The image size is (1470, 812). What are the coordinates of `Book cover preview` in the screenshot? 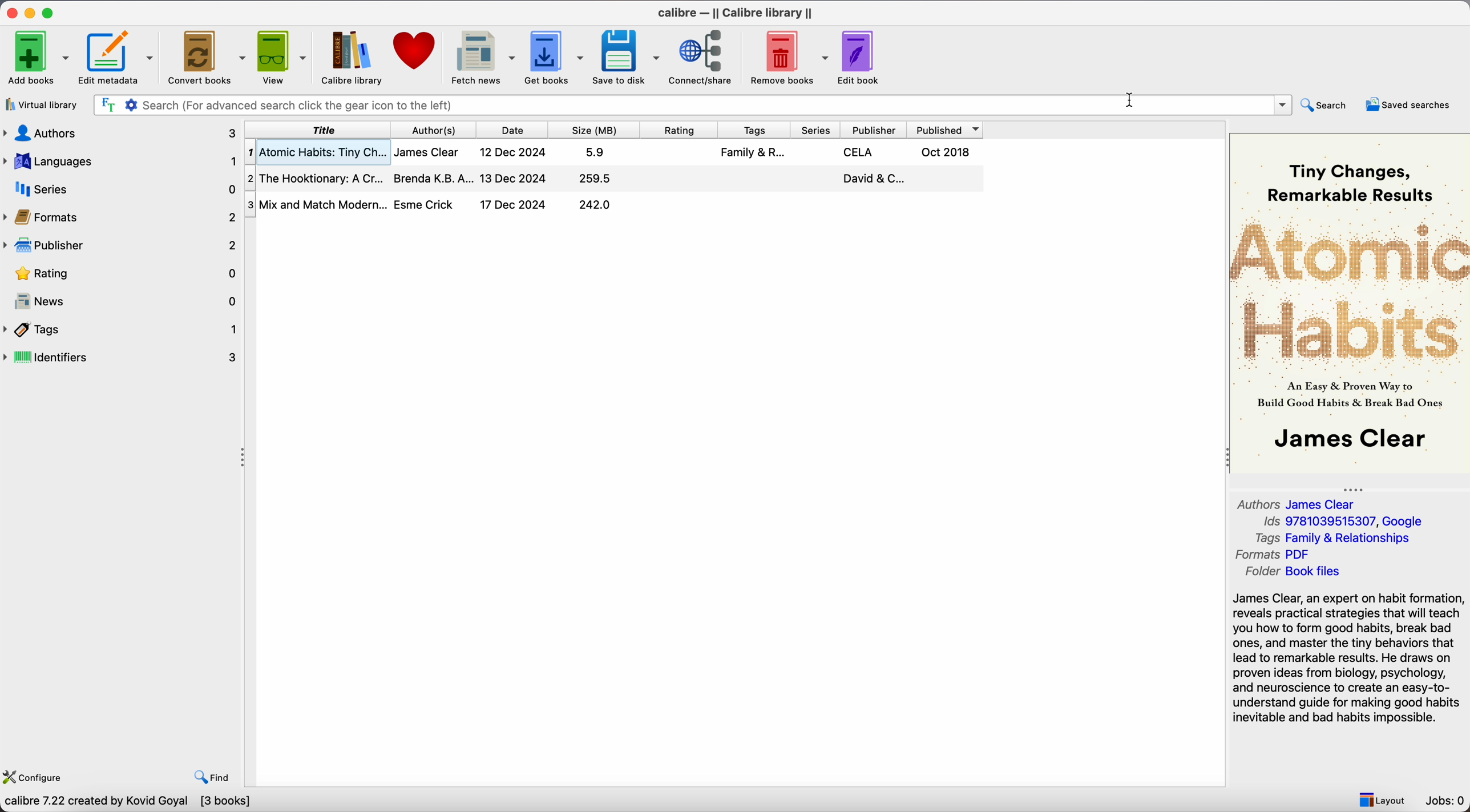 It's located at (1350, 302).